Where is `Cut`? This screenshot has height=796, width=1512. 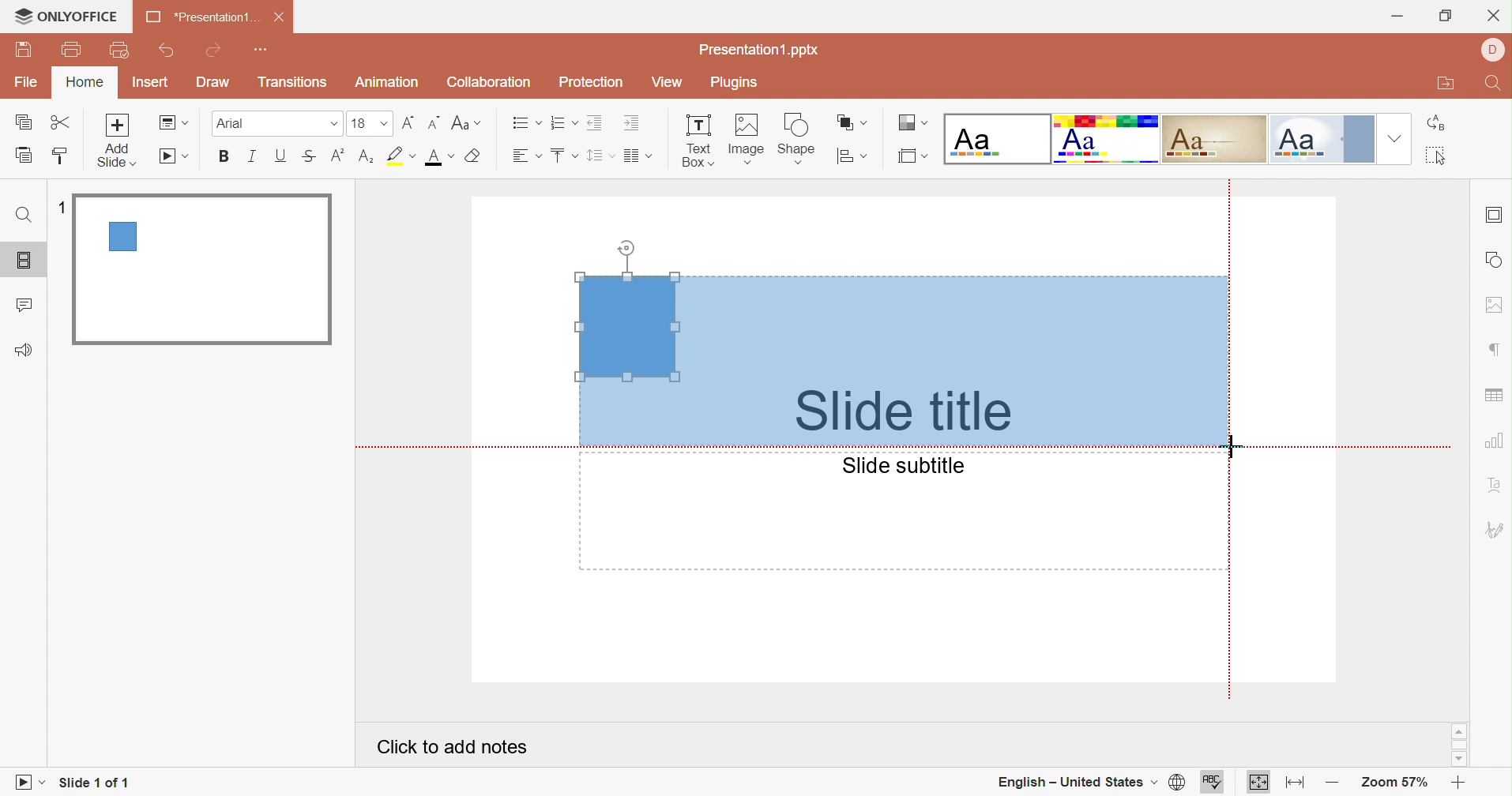 Cut is located at coordinates (63, 123).